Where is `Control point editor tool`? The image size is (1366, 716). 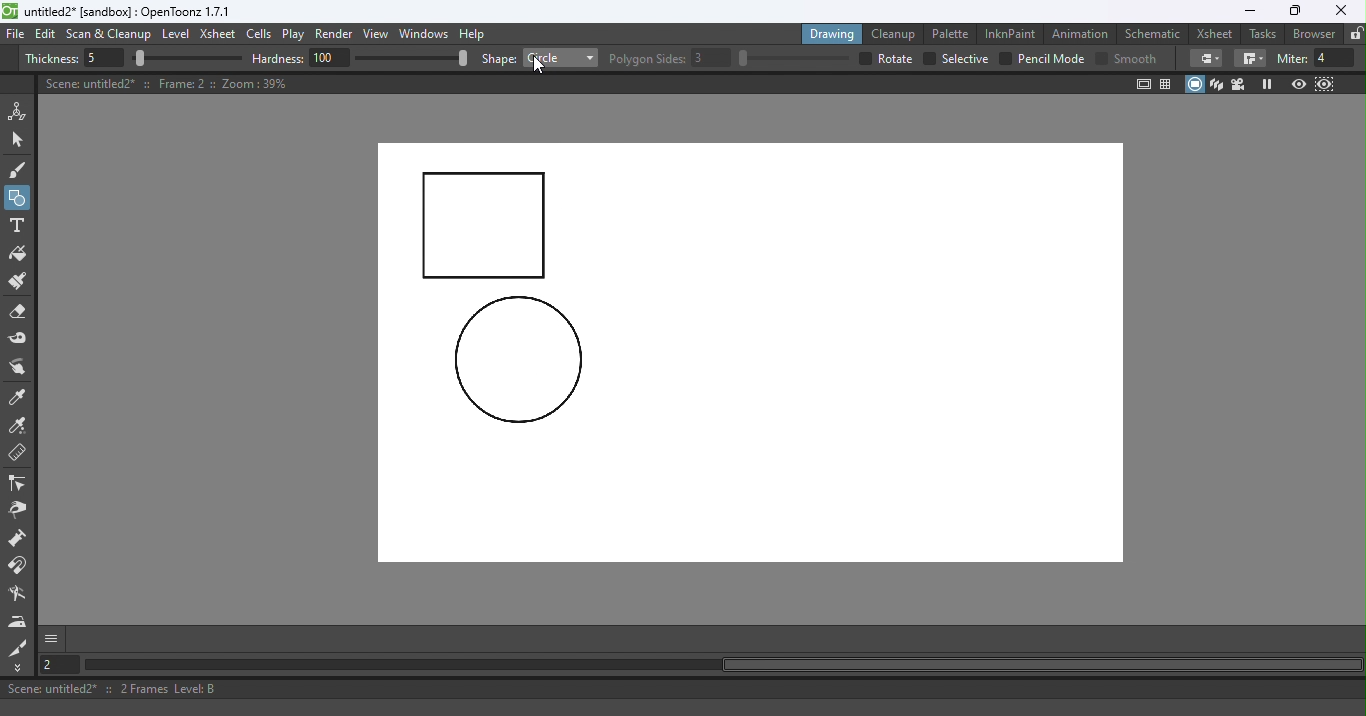 Control point editor tool is located at coordinates (18, 485).